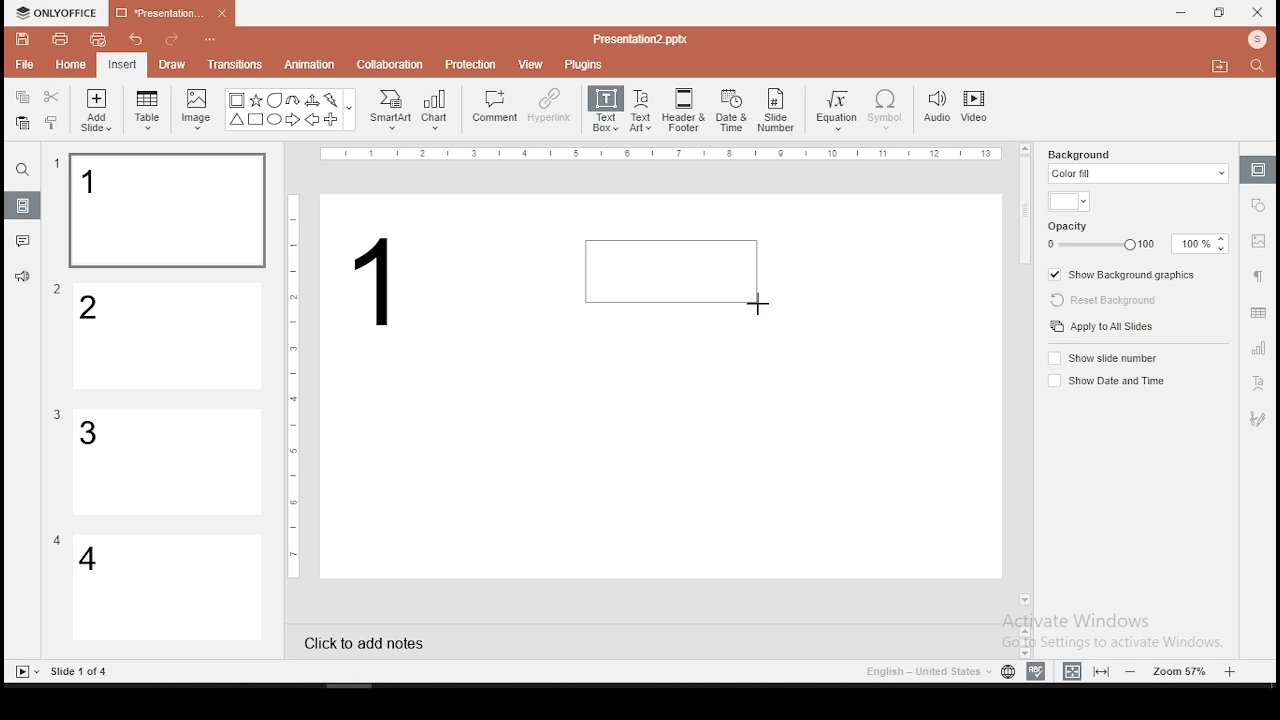 The image size is (1280, 720). I want to click on home, so click(69, 64).